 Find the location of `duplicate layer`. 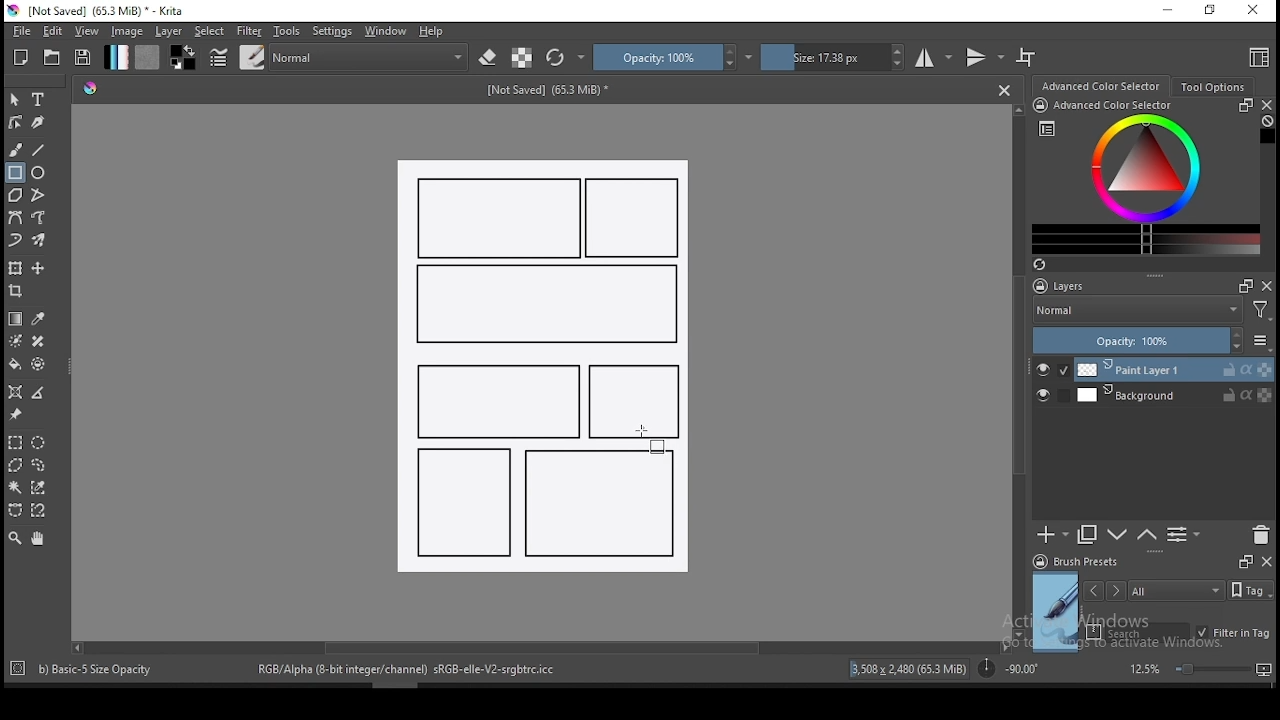

duplicate layer is located at coordinates (1088, 534).